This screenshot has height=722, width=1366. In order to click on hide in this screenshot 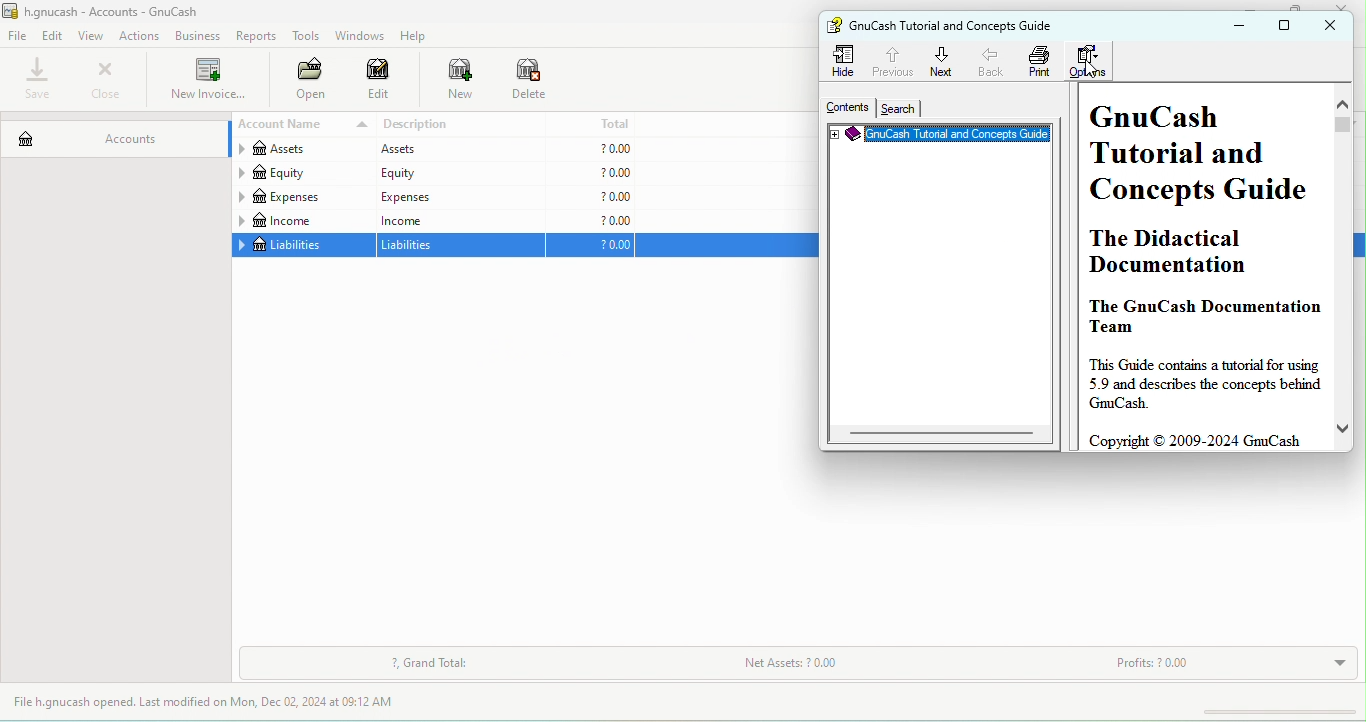, I will do `click(846, 61)`.